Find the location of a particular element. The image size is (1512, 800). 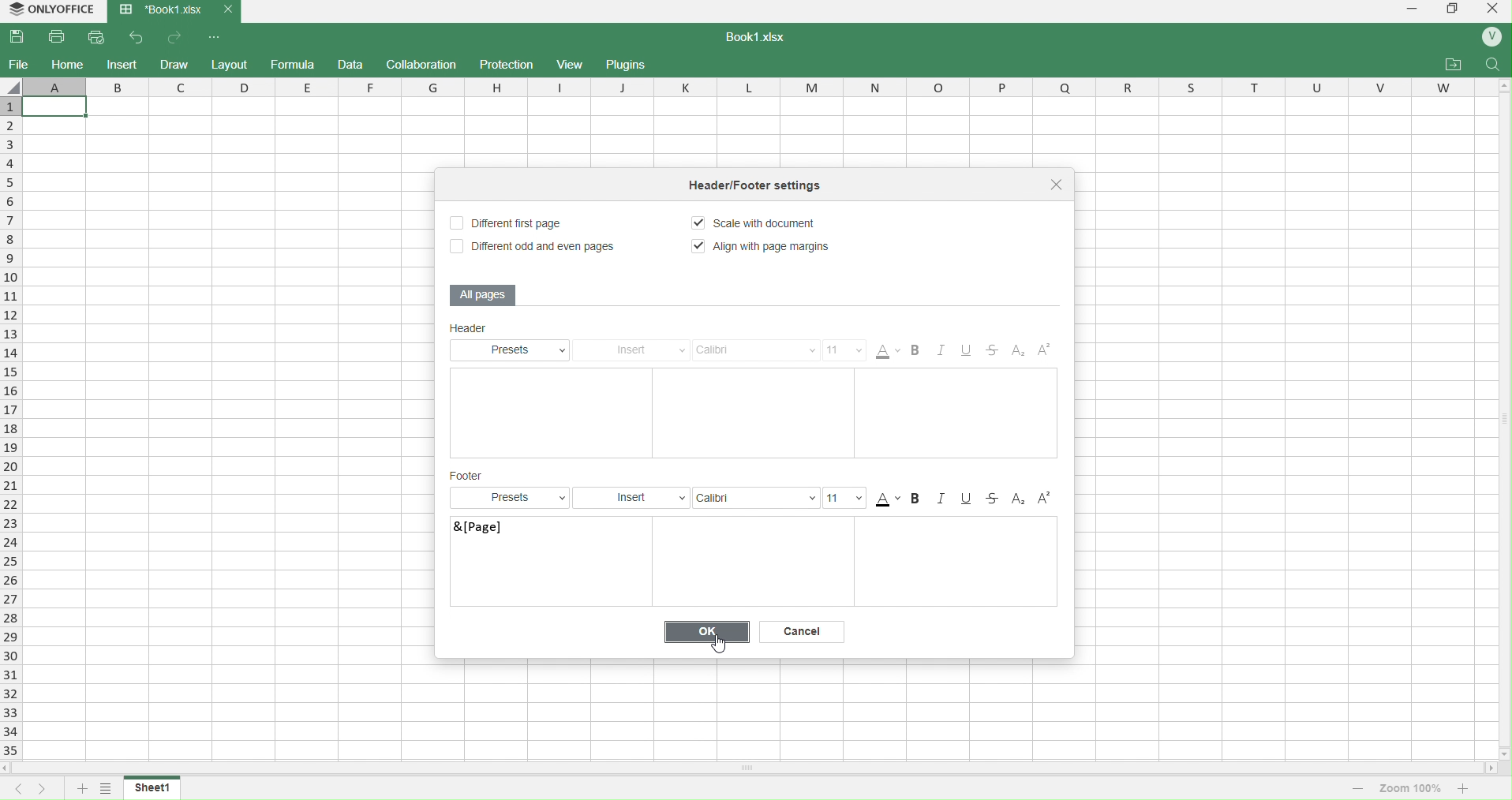

Different First Page is located at coordinates (515, 222).